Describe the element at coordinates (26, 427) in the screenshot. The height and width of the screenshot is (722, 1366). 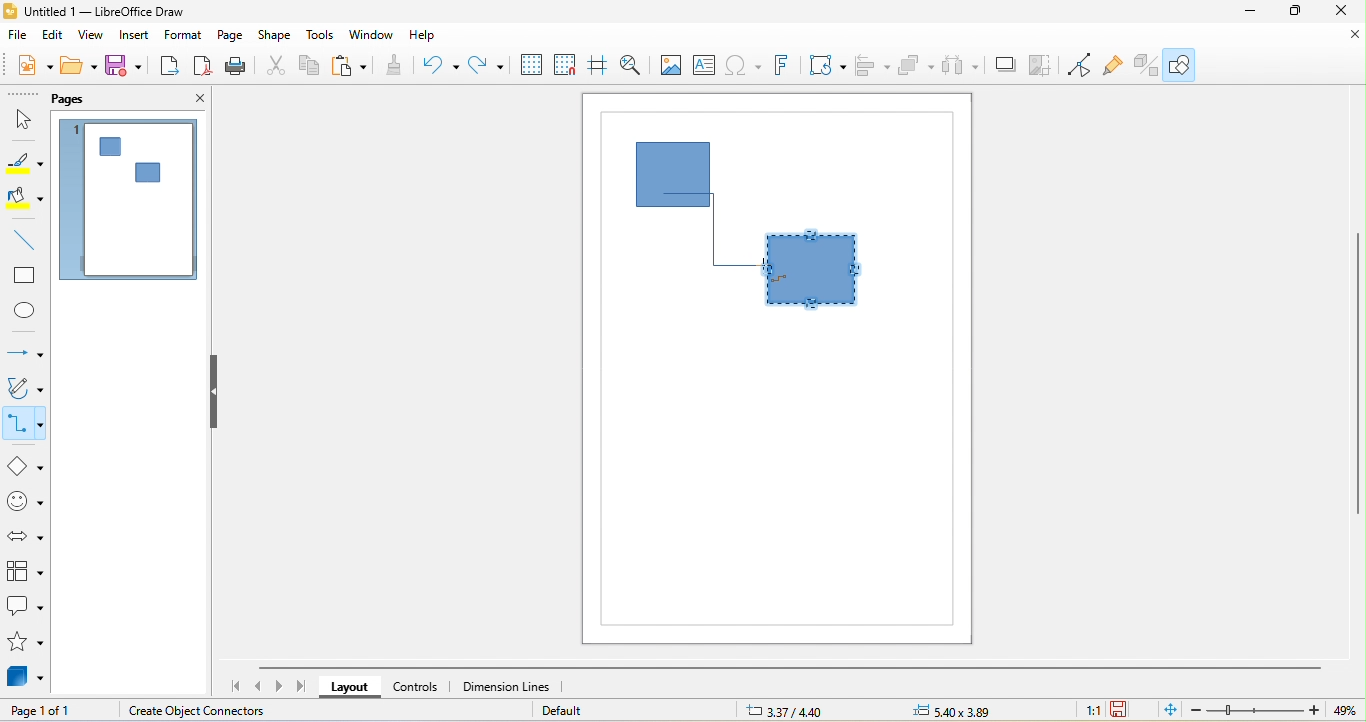
I see `connectors` at that location.